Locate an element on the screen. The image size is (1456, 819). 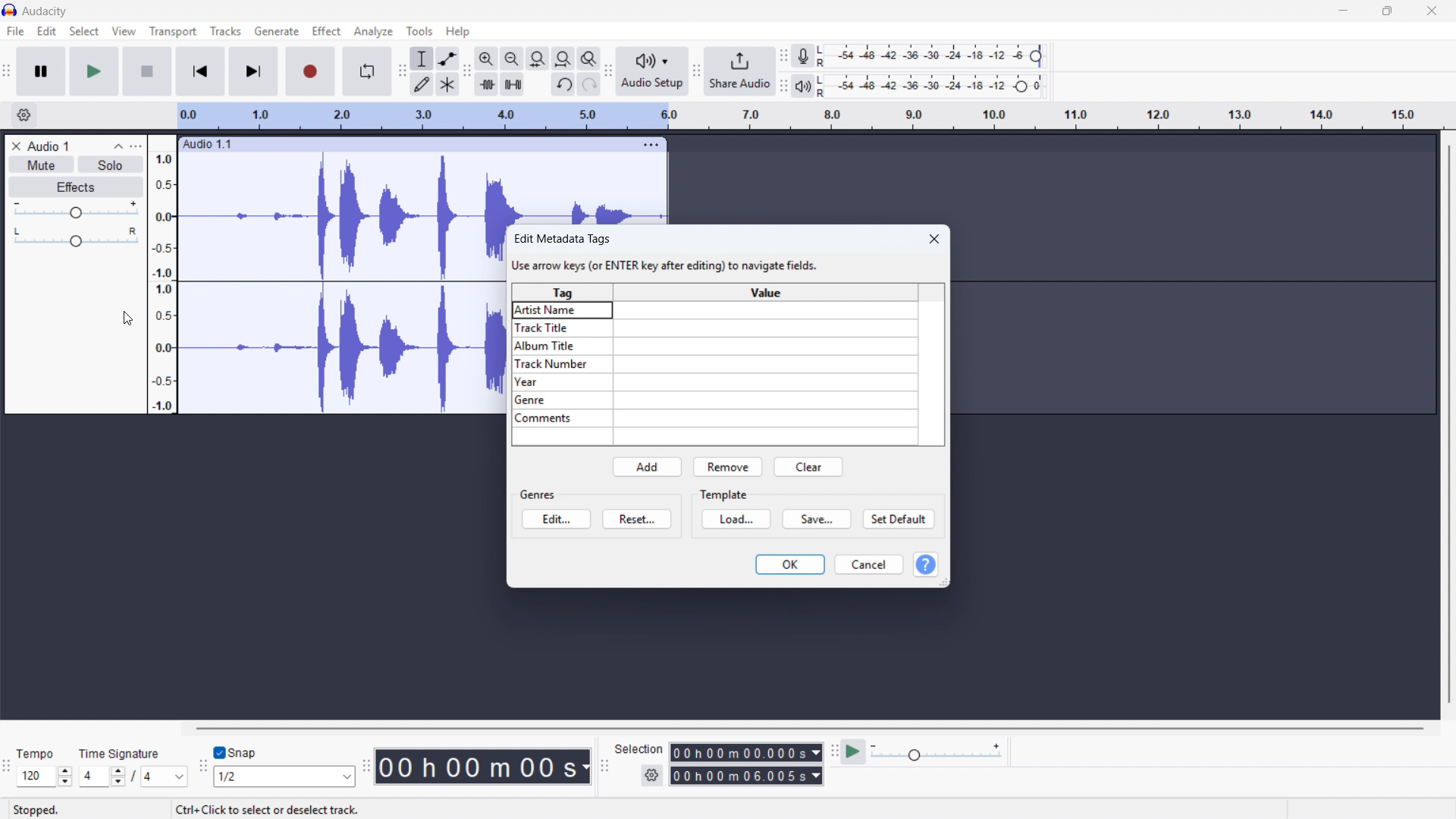
click to move is located at coordinates (409, 145).